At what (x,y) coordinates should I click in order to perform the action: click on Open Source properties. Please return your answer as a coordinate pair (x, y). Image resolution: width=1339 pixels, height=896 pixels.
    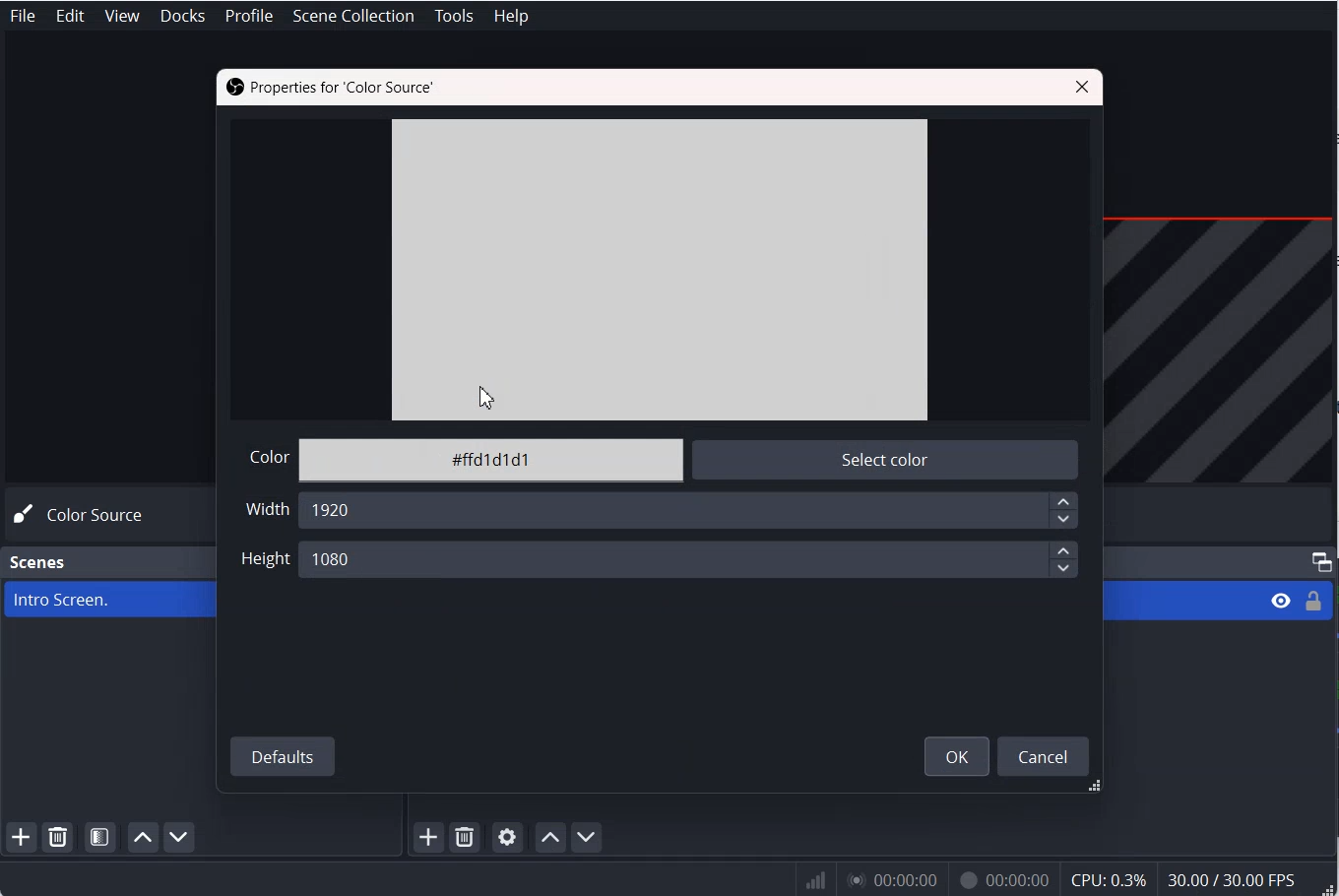
    Looking at the image, I should click on (507, 837).